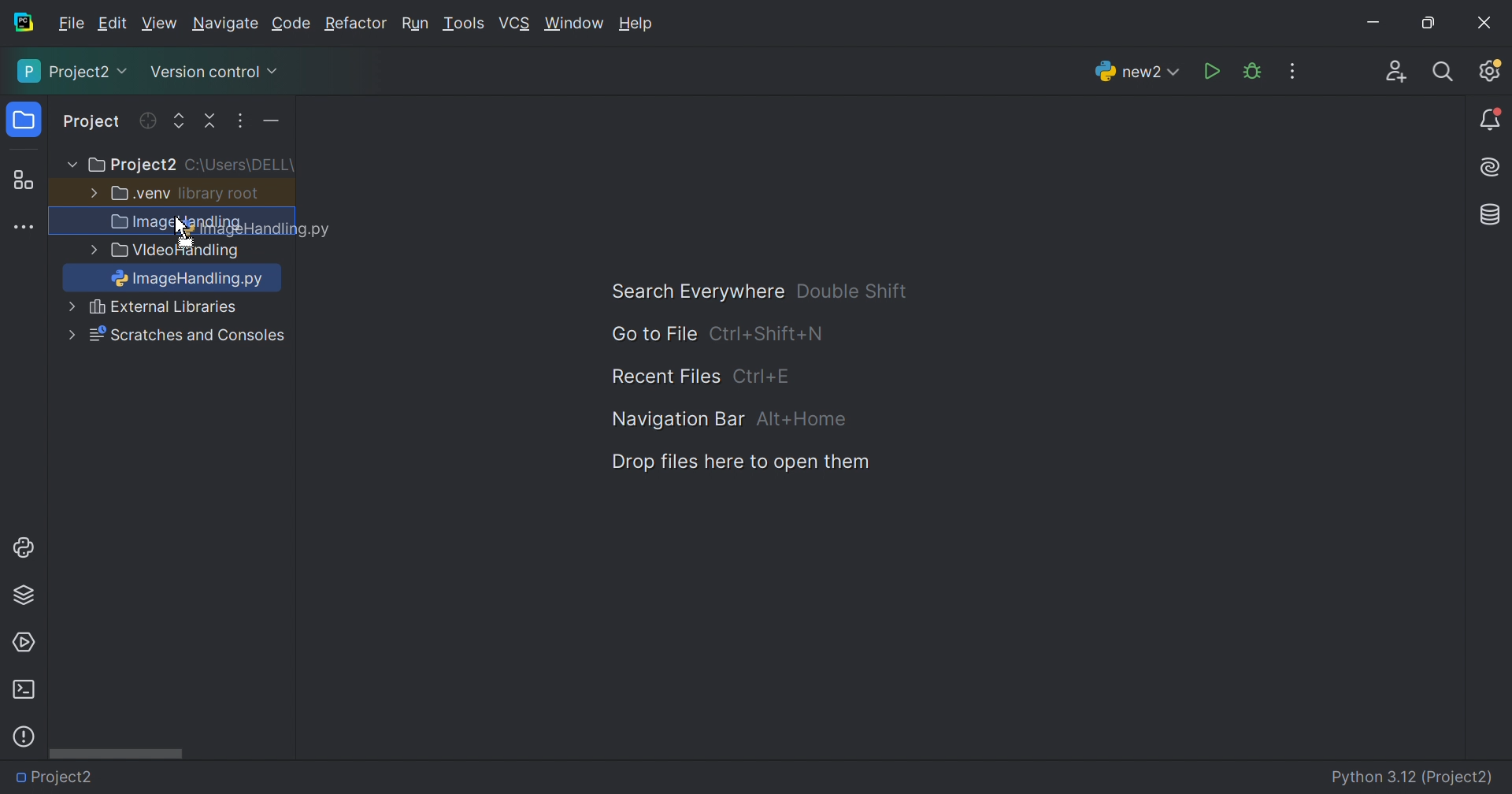 The image size is (1512, 794). What do you see at coordinates (23, 643) in the screenshot?
I see `Services` at bounding box center [23, 643].